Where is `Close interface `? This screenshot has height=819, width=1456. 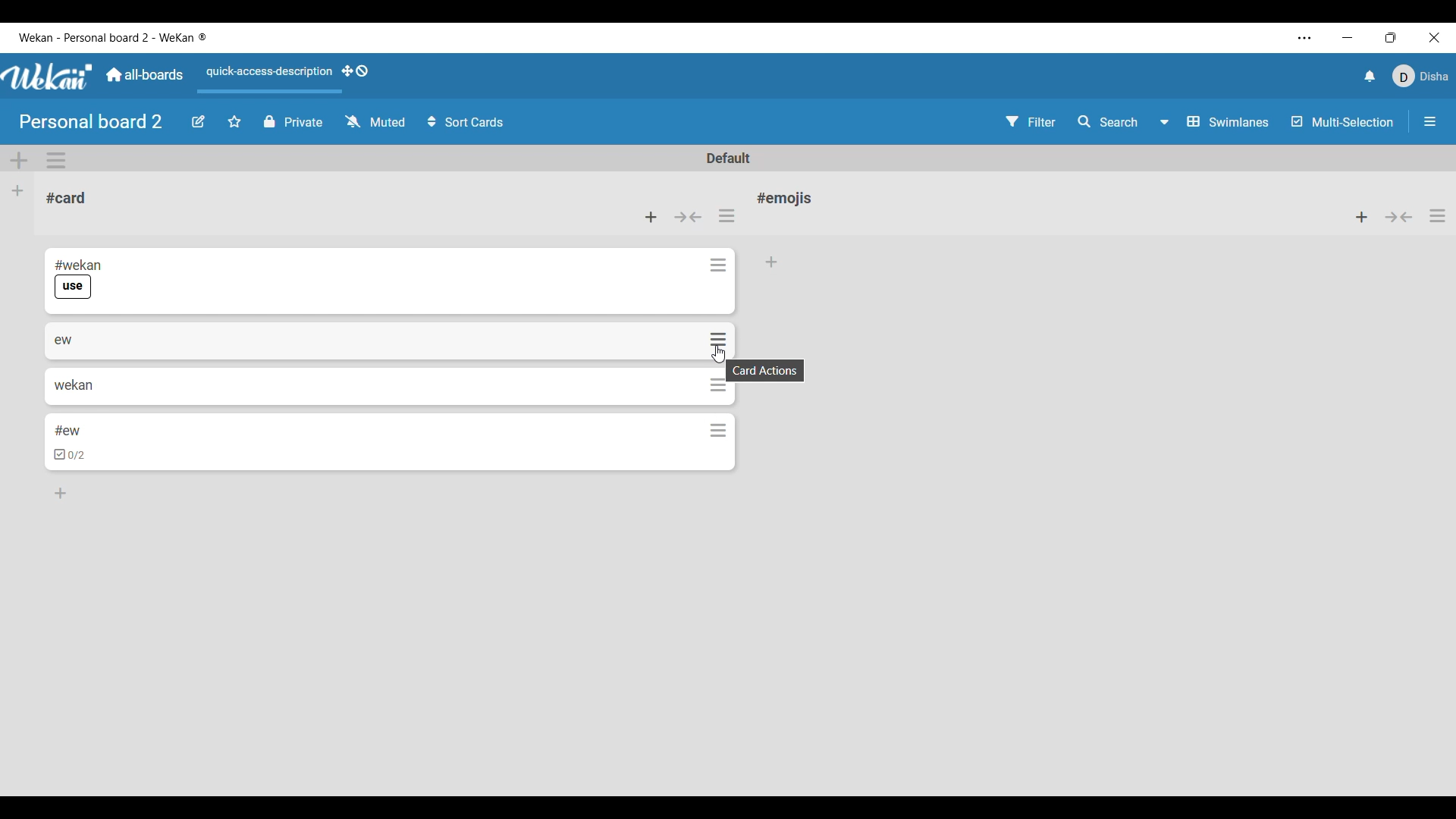
Close interface  is located at coordinates (1435, 37).